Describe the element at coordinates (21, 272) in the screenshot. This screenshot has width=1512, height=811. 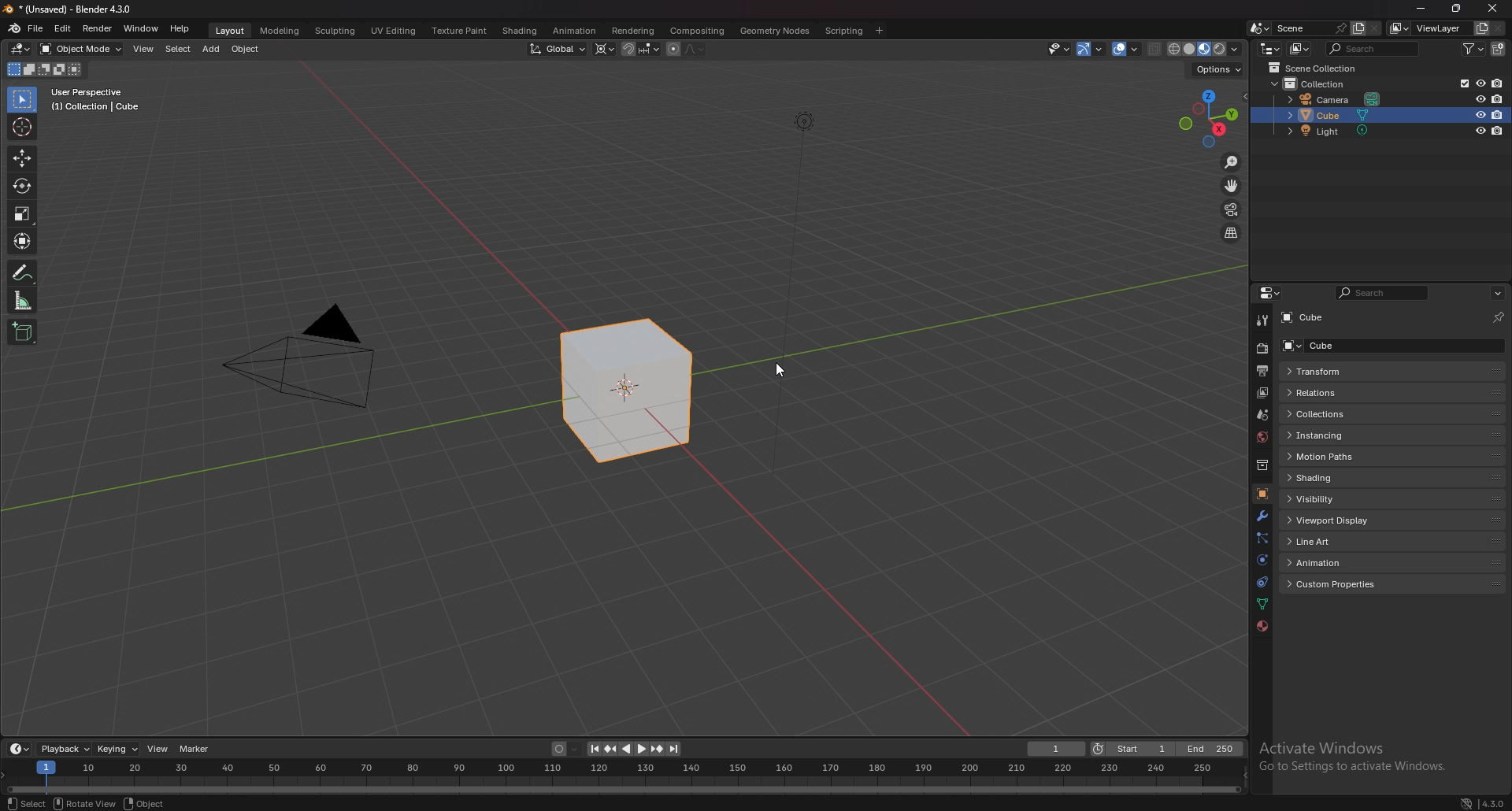
I see `annotate` at that location.